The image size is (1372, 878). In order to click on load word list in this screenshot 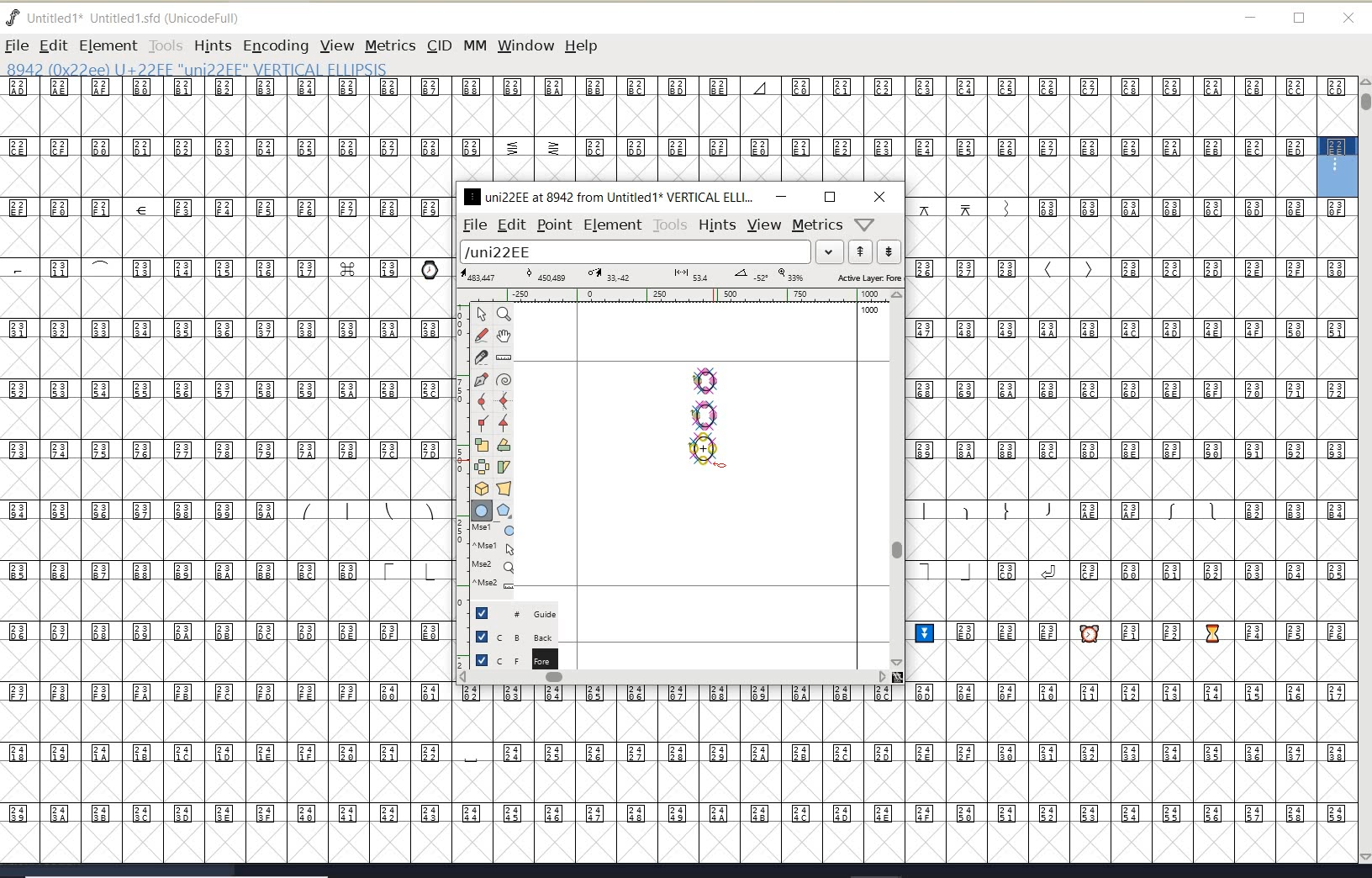, I will do `click(648, 253)`.